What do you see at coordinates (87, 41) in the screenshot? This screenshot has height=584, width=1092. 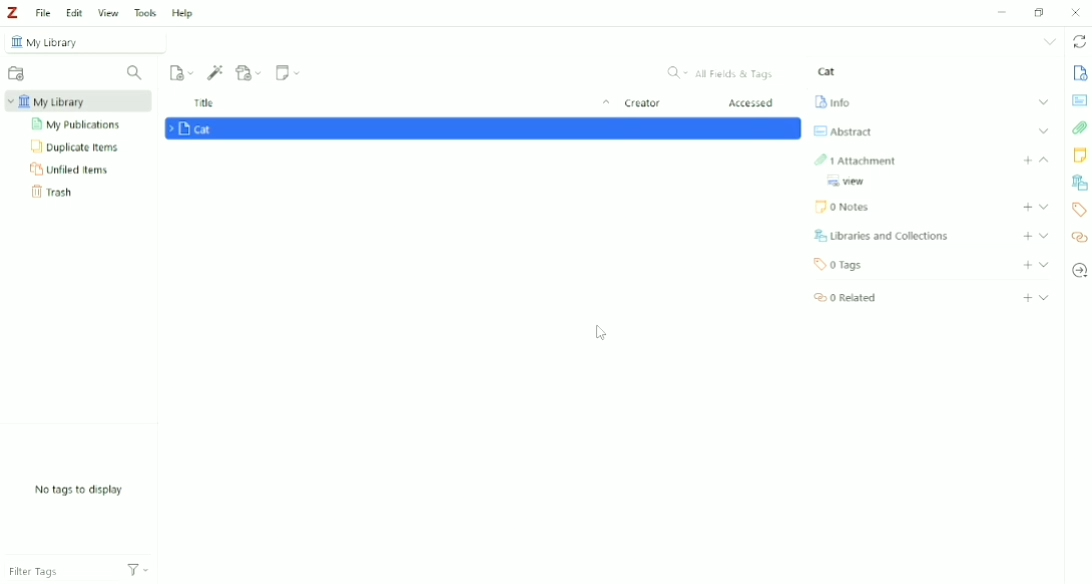 I see `My Library` at bounding box center [87, 41].